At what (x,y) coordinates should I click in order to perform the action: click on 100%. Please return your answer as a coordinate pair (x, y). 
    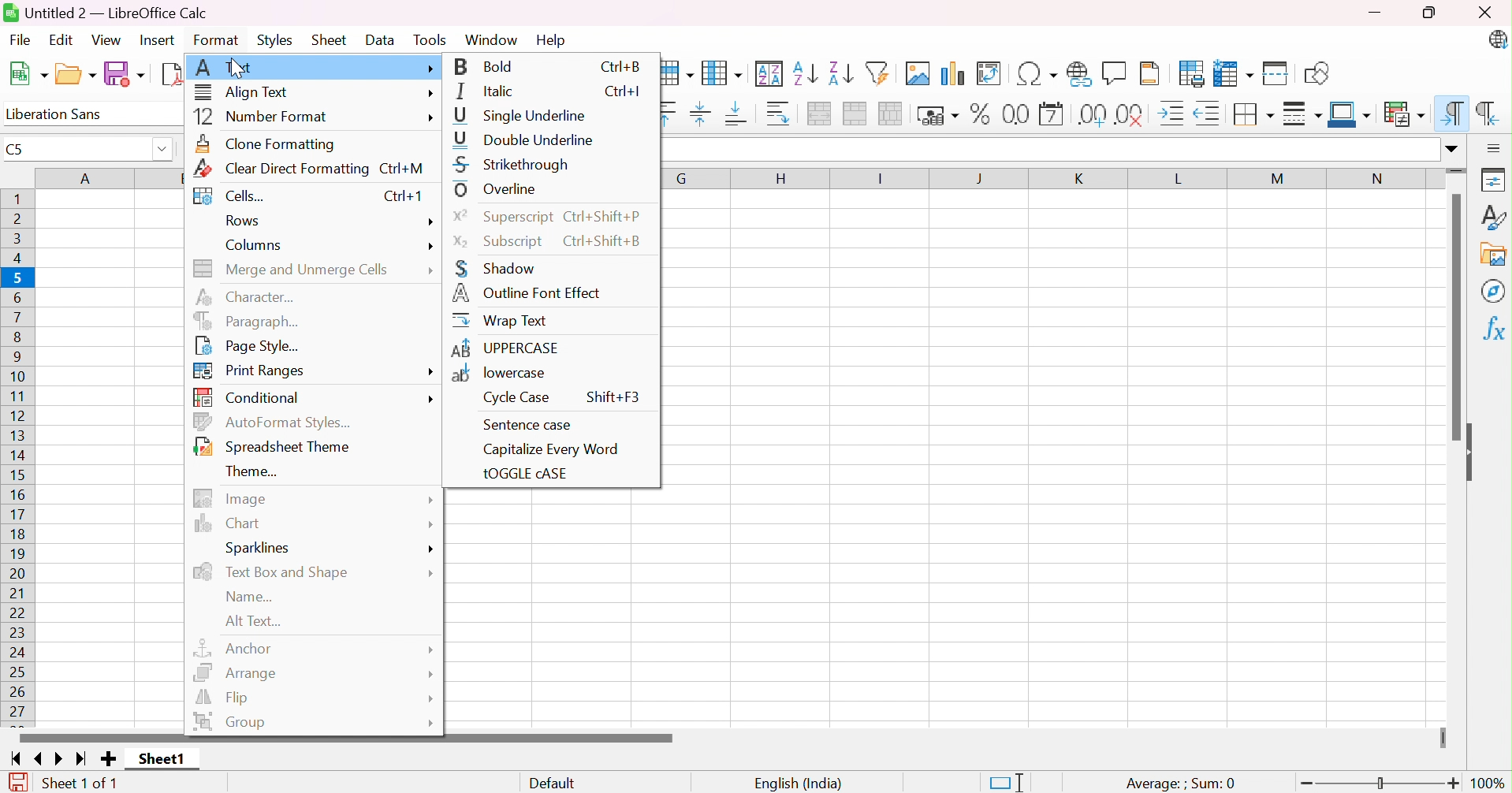
    Looking at the image, I should click on (1492, 784).